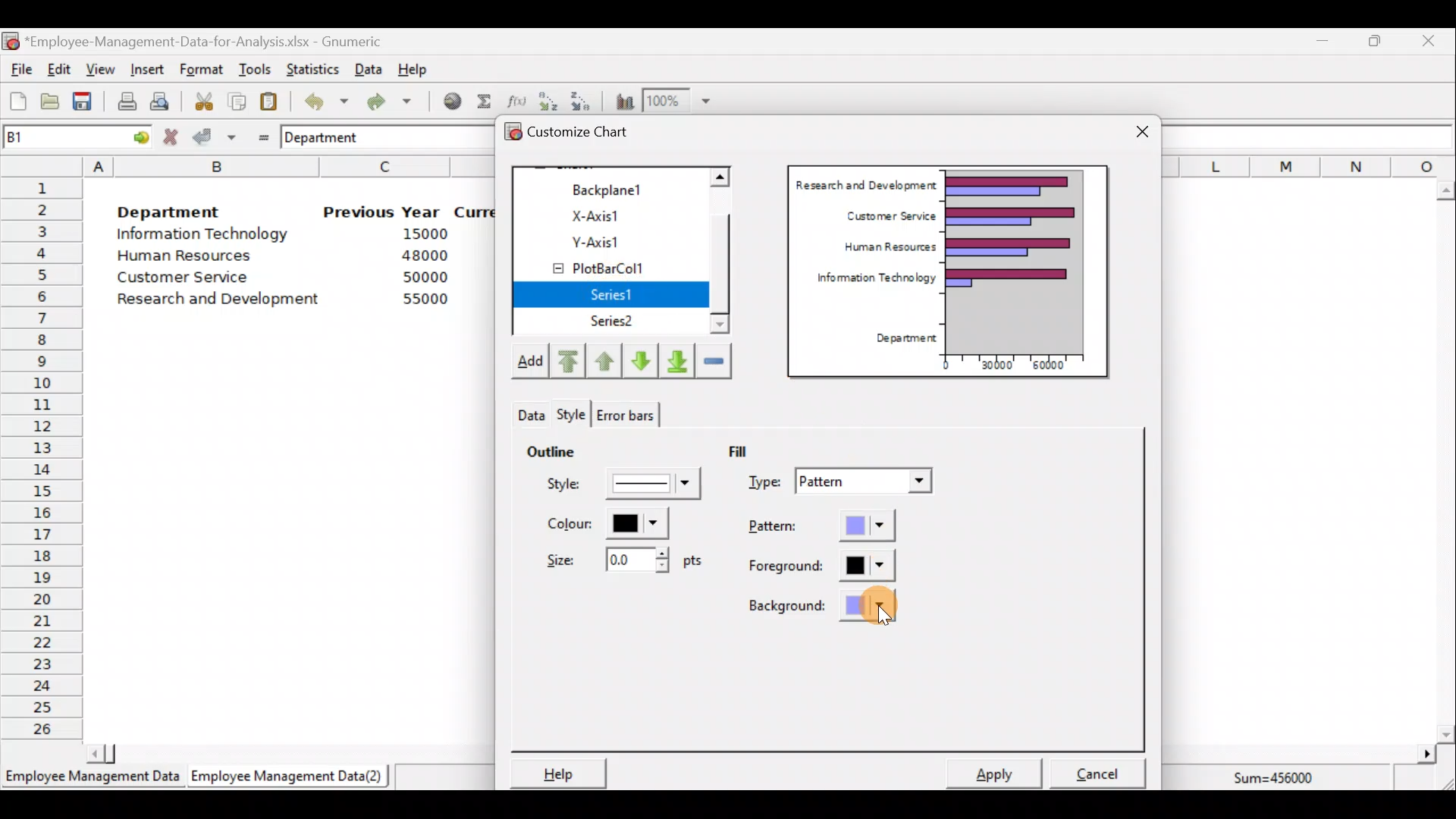  I want to click on Customer Service, so click(187, 281).